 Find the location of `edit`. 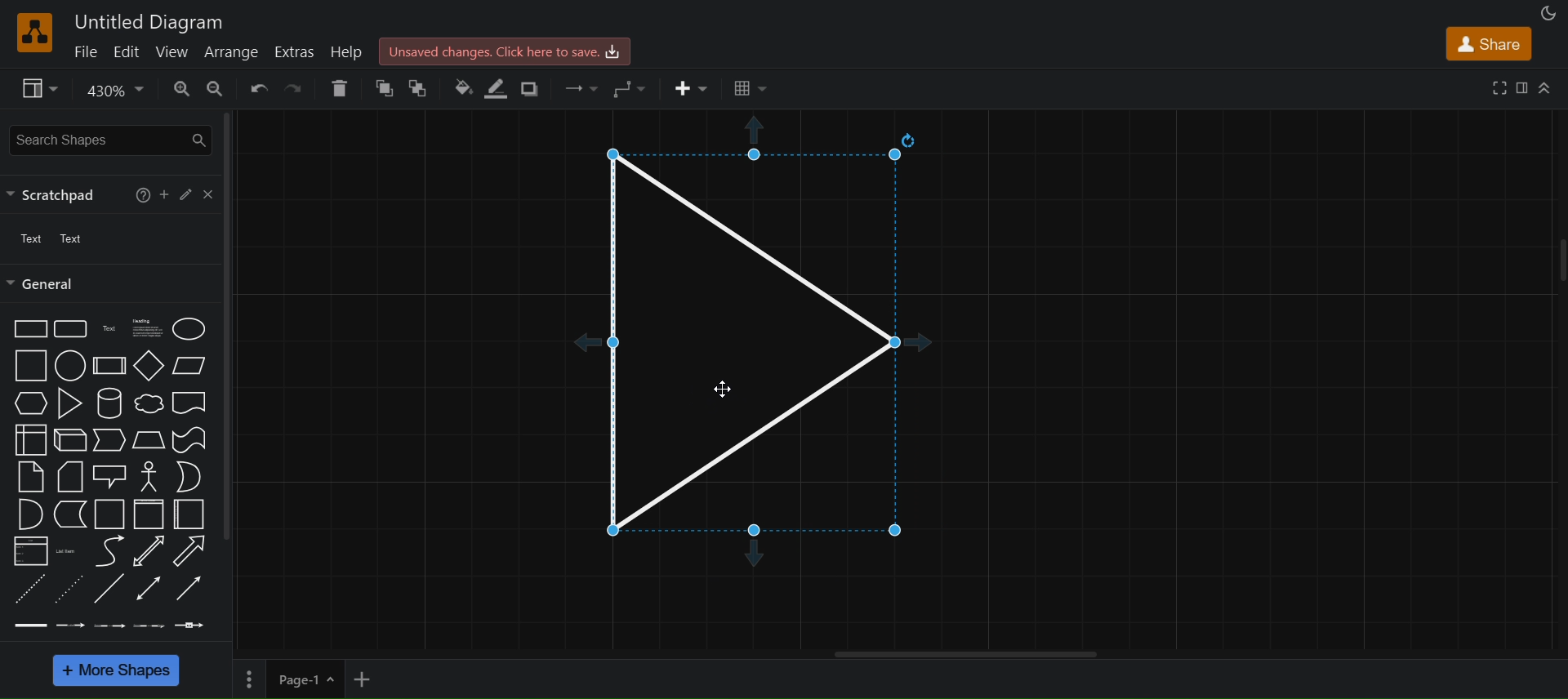

edit is located at coordinates (128, 51).